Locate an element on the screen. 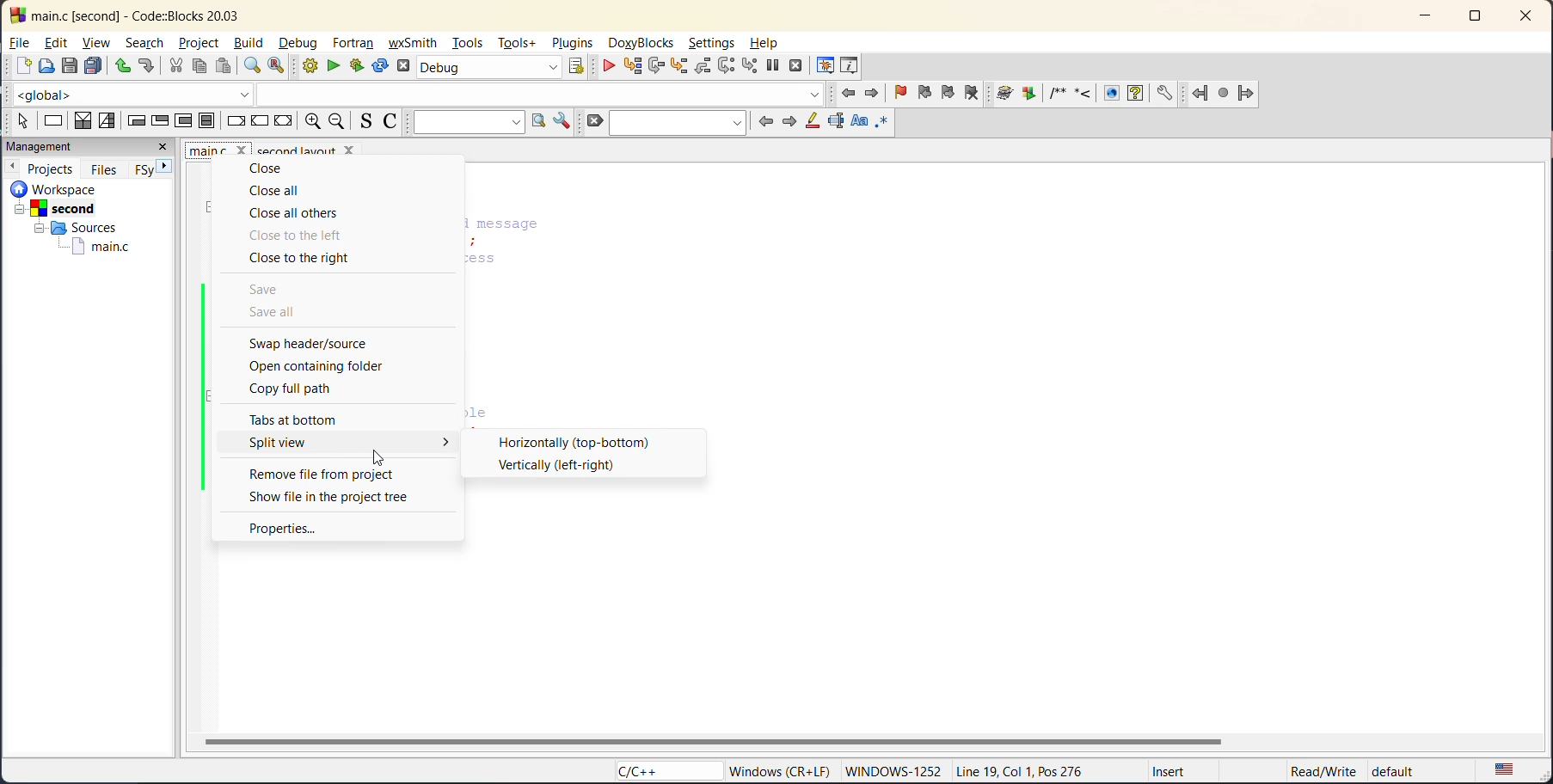 This screenshot has height=784, width=1553. select is located at coordinates (21, 121).